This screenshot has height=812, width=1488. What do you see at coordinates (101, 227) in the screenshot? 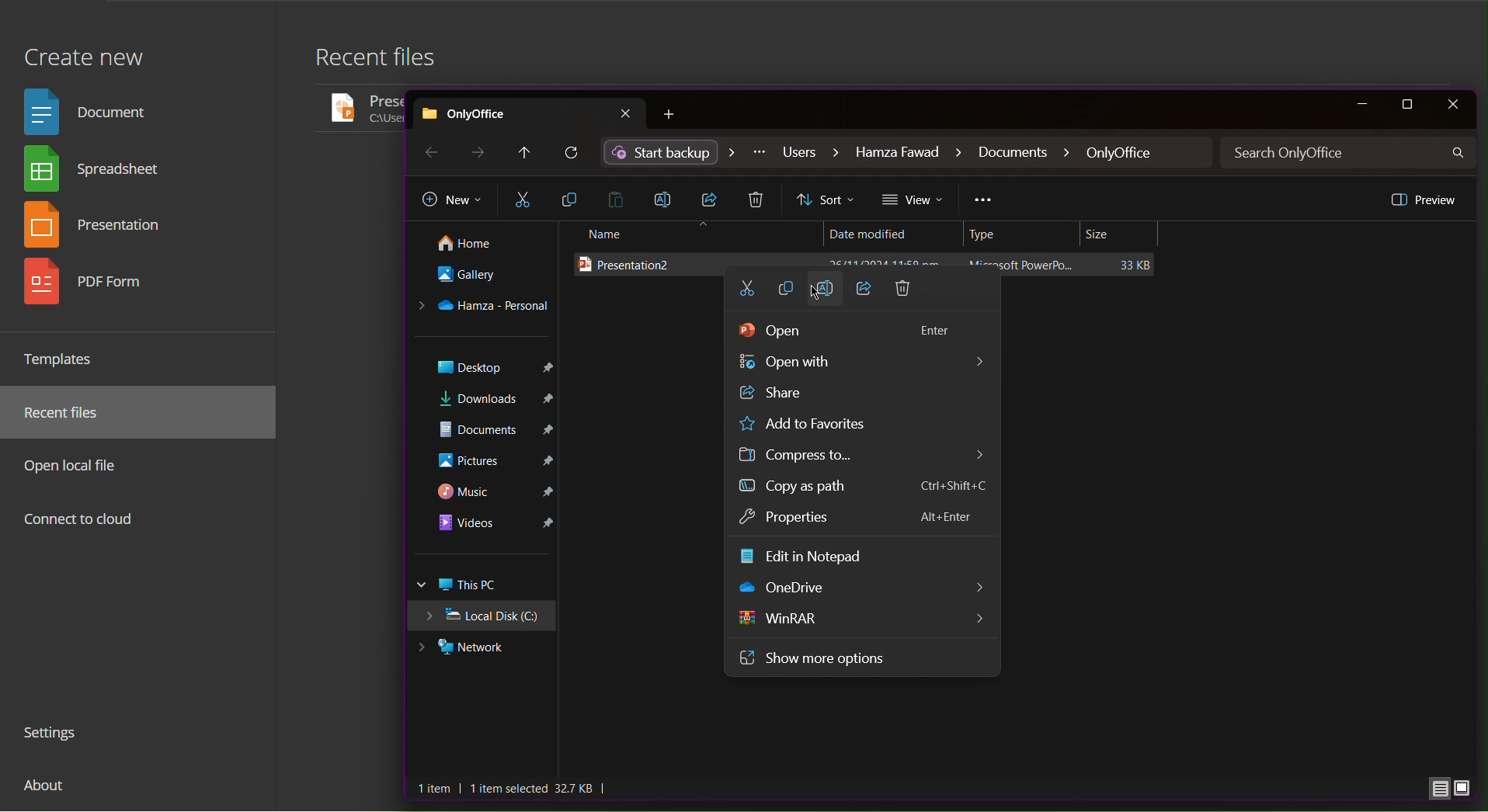
I see `Presentation` at bounding box center [101, 227].